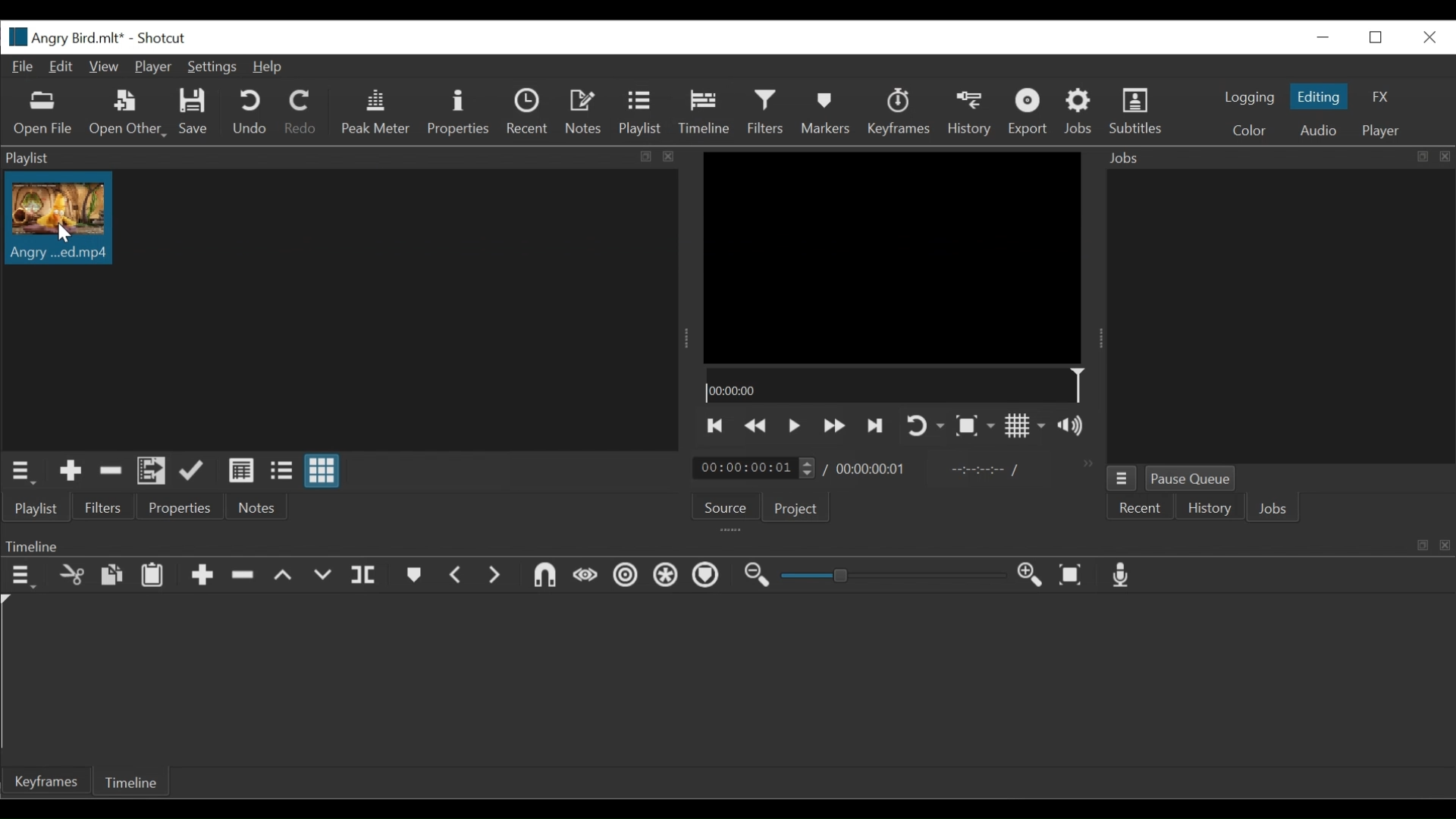 This screenshot has height=819, width=1456. Describe the element at coordinates (112, 474) in the screenshot. I see `Remove cut` at that location.